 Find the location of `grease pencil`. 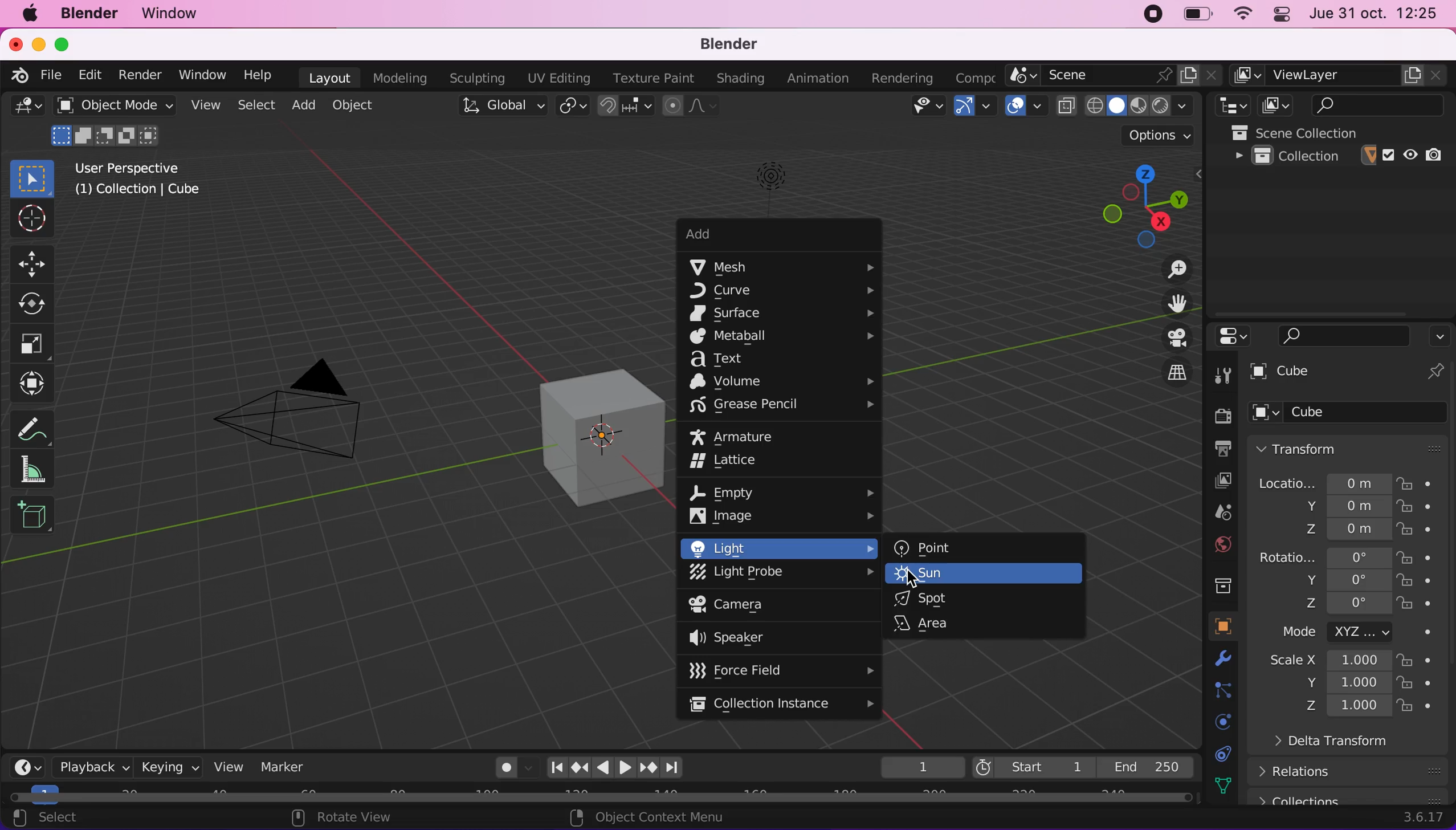

grease pencil is located at coordinates (785, 406).